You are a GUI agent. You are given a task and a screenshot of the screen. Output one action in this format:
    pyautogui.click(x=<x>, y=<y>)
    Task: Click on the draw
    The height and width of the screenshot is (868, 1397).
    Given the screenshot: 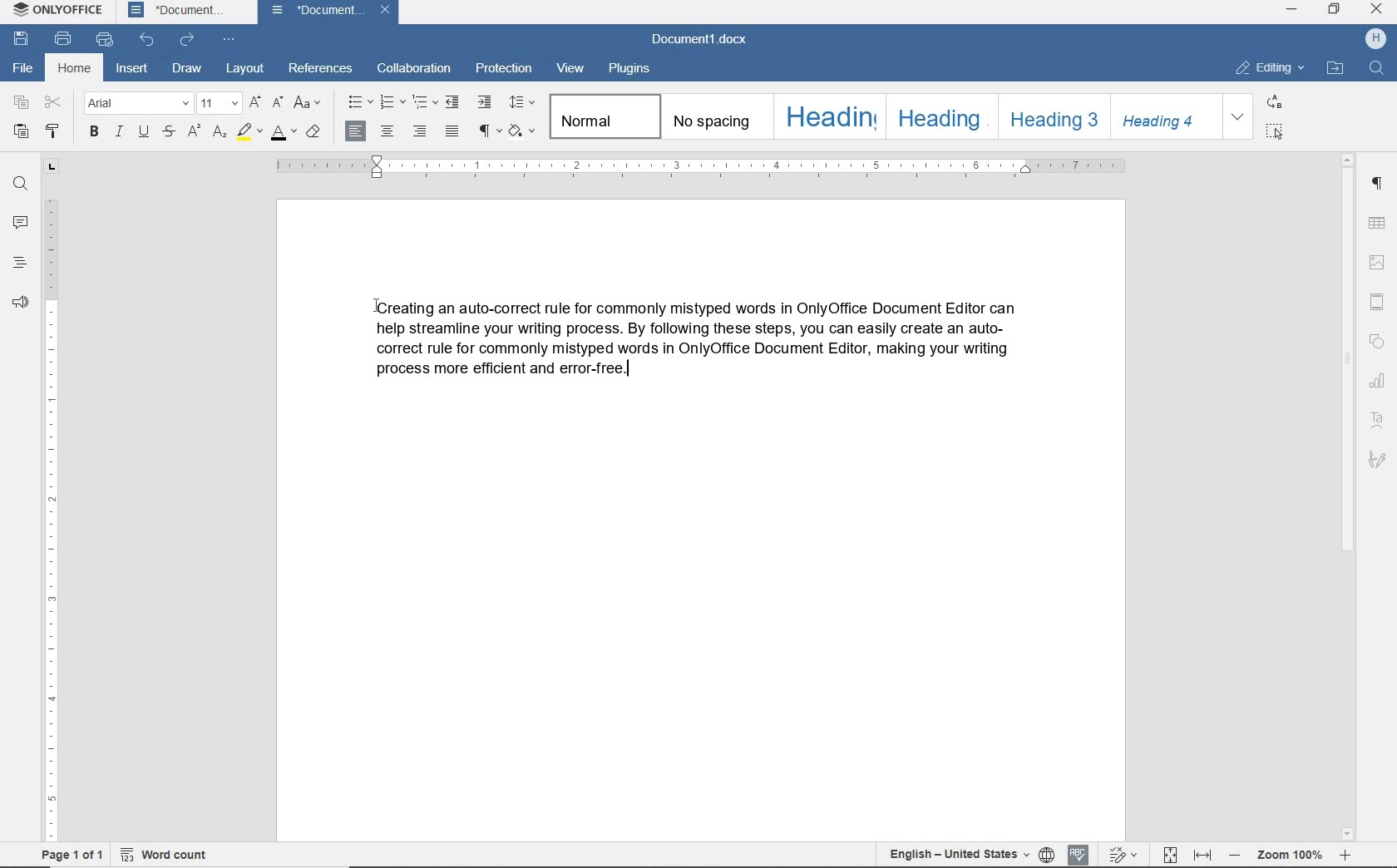 What is the action you would take?
    pyautogui.click(x=187, y=70)
    